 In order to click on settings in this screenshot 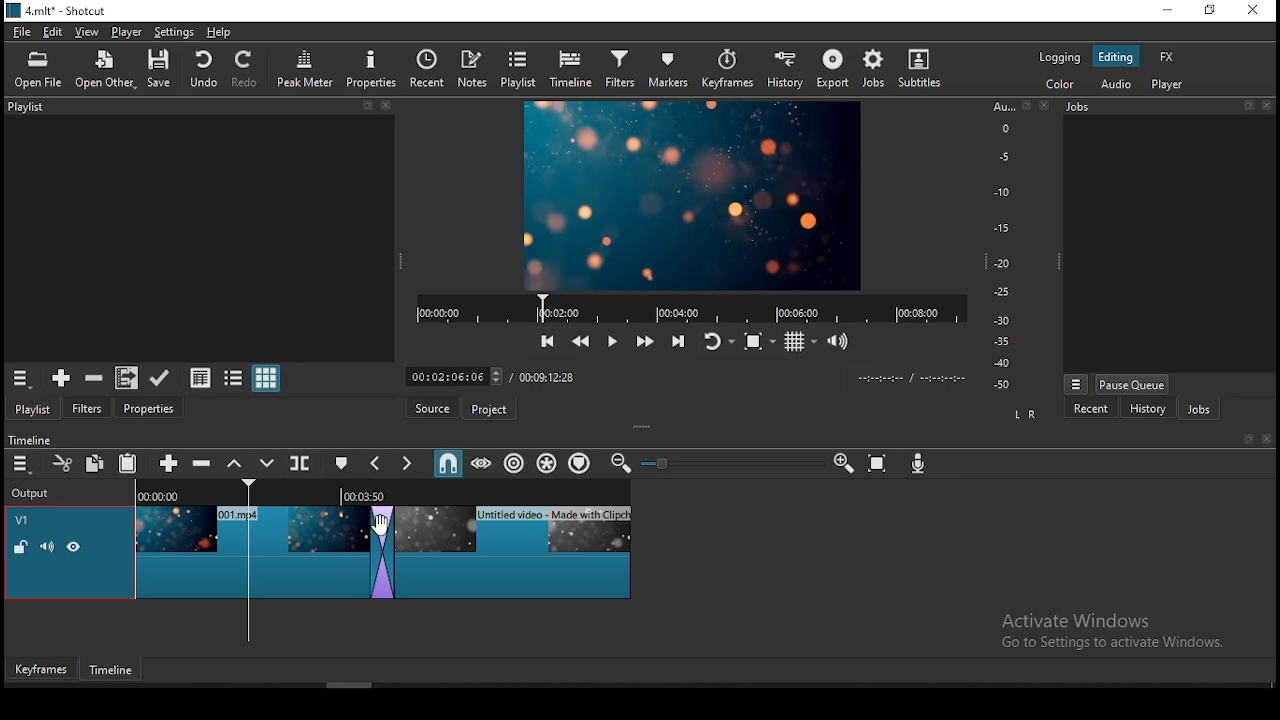, I will do `click(174, 32)`.